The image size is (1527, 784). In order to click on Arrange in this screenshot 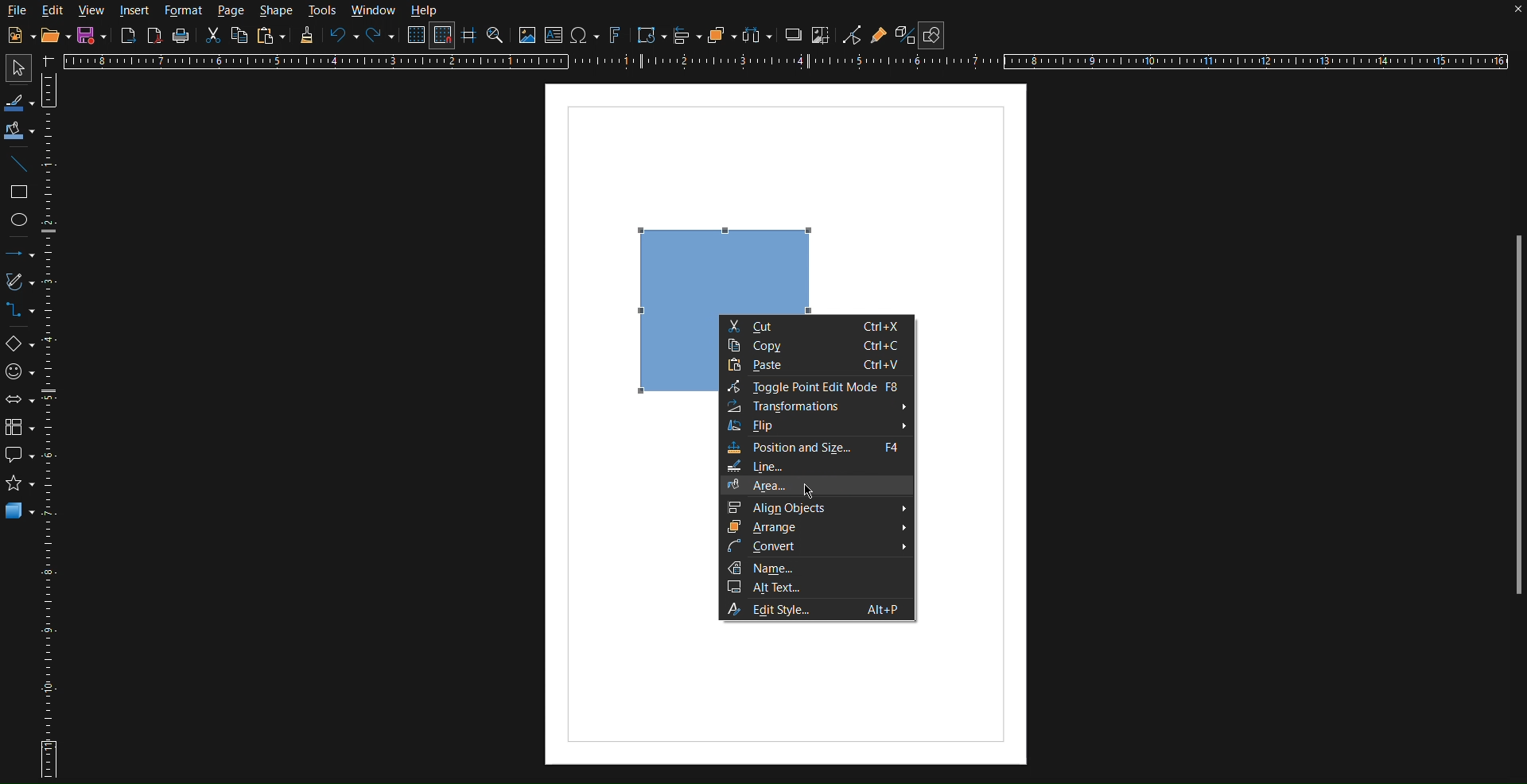, I will do `click(817, 526)`.